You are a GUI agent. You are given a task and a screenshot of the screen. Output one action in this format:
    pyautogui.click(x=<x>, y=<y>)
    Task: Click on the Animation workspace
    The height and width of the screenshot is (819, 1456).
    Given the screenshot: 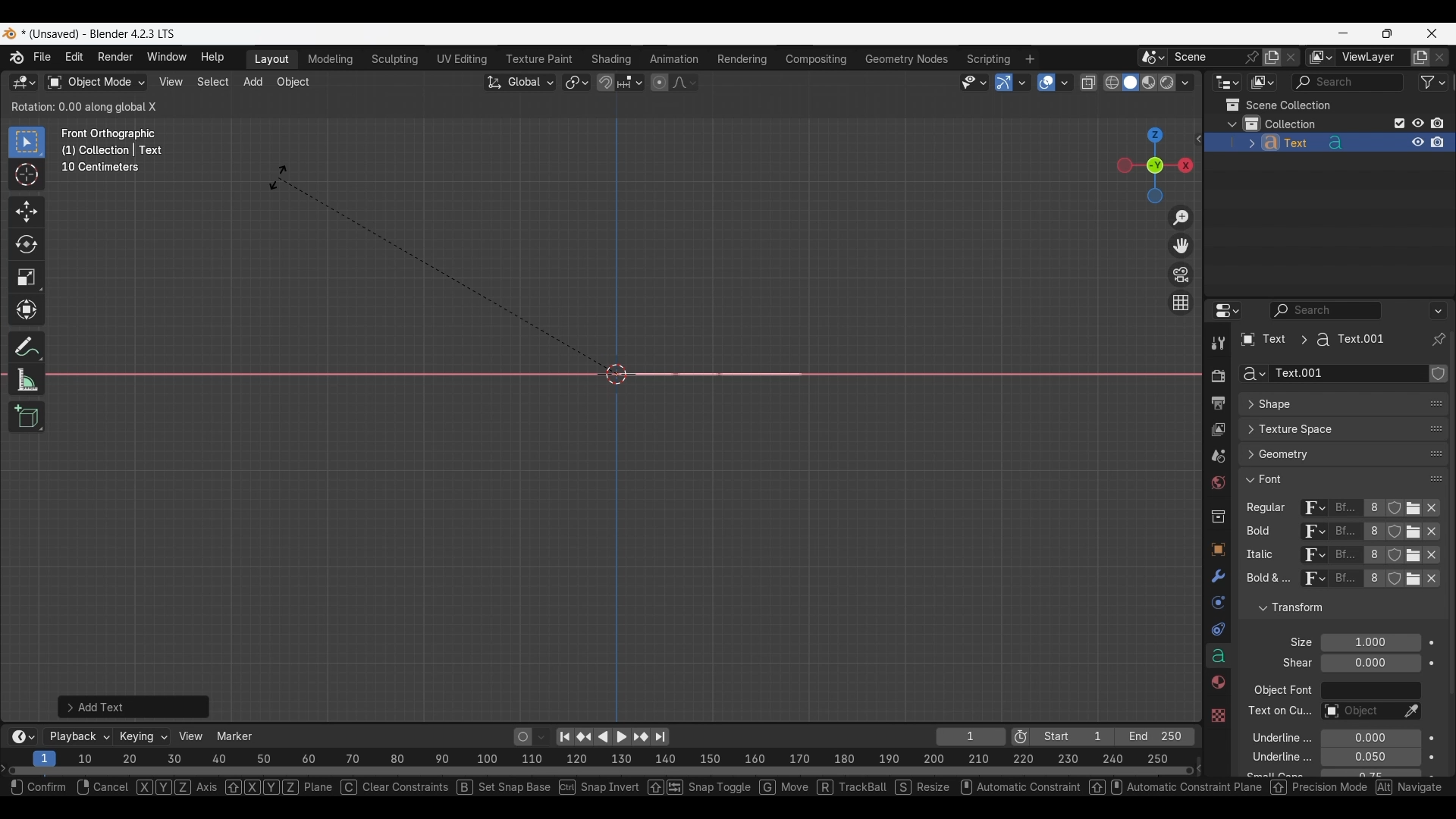 What is the action you would take?
    pyautogui.click(x=674, y=60)
    